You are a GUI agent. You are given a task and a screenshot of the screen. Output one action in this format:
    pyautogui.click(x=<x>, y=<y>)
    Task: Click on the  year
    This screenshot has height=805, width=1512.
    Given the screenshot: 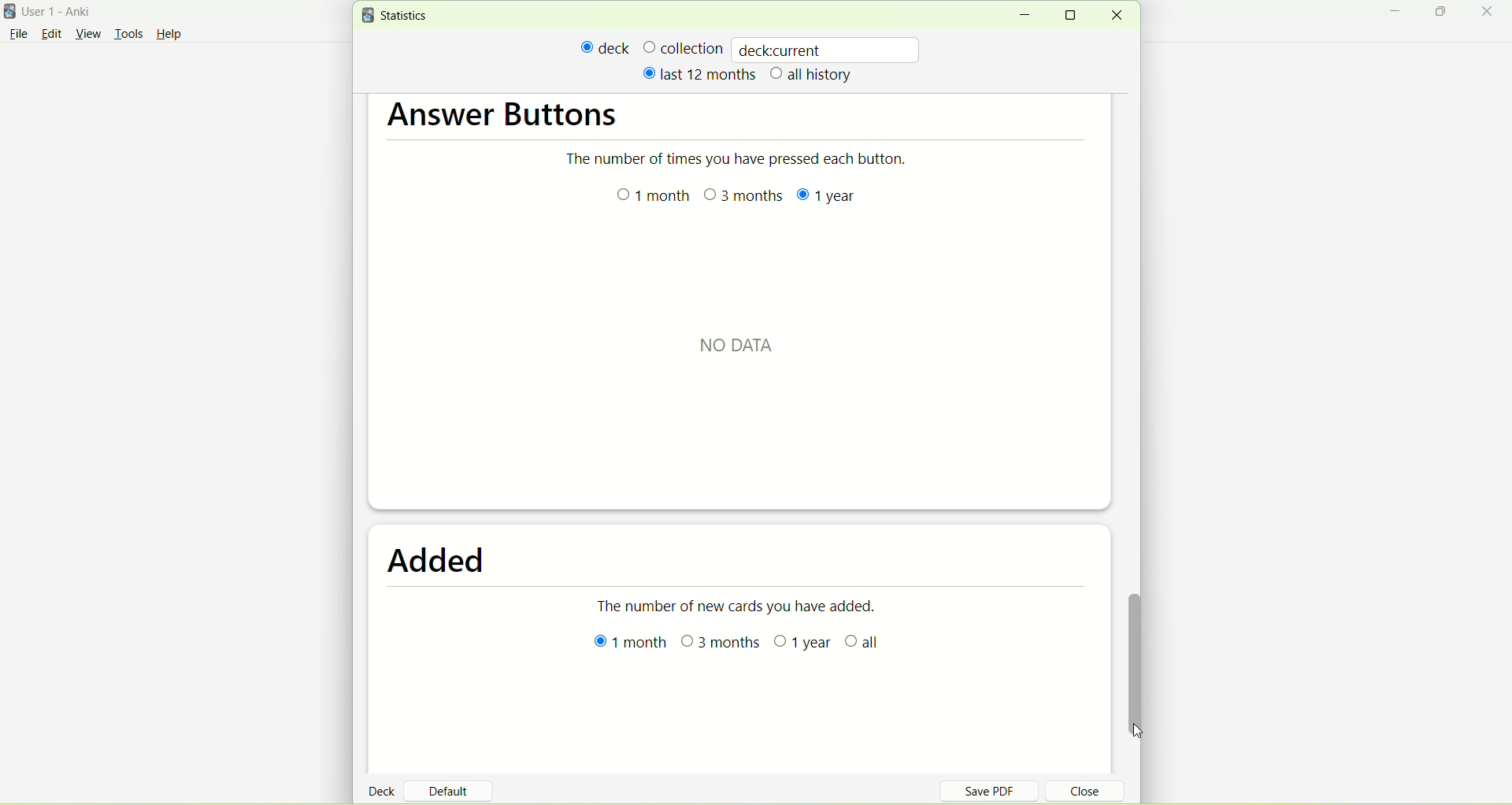 What is the action you would take?
    pyautogui.click(x=797, y=645)
    